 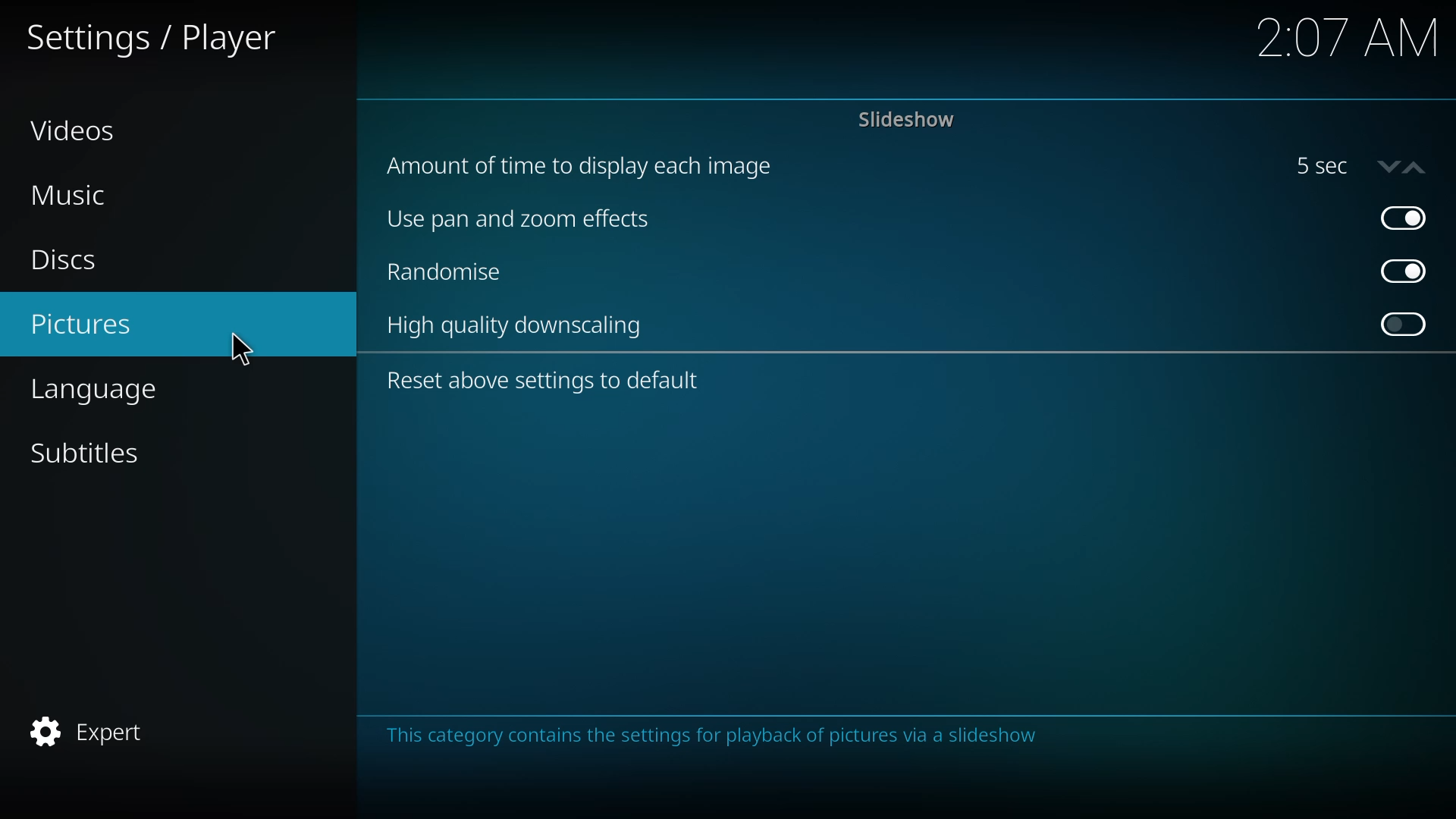 I want to click on click to enable, so click(x=1402, y=324).